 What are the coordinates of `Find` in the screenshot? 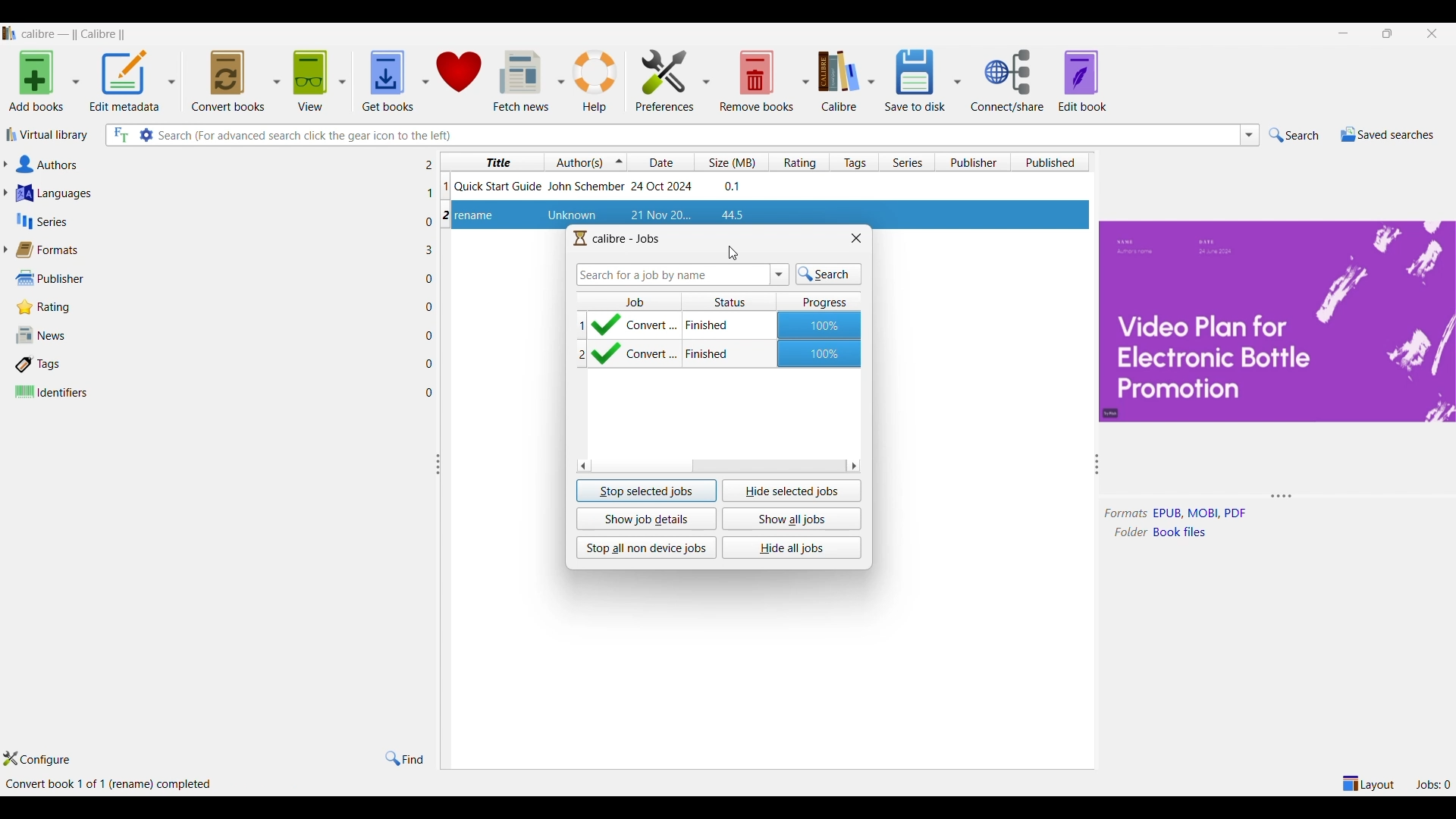 It's located at (405, 760).